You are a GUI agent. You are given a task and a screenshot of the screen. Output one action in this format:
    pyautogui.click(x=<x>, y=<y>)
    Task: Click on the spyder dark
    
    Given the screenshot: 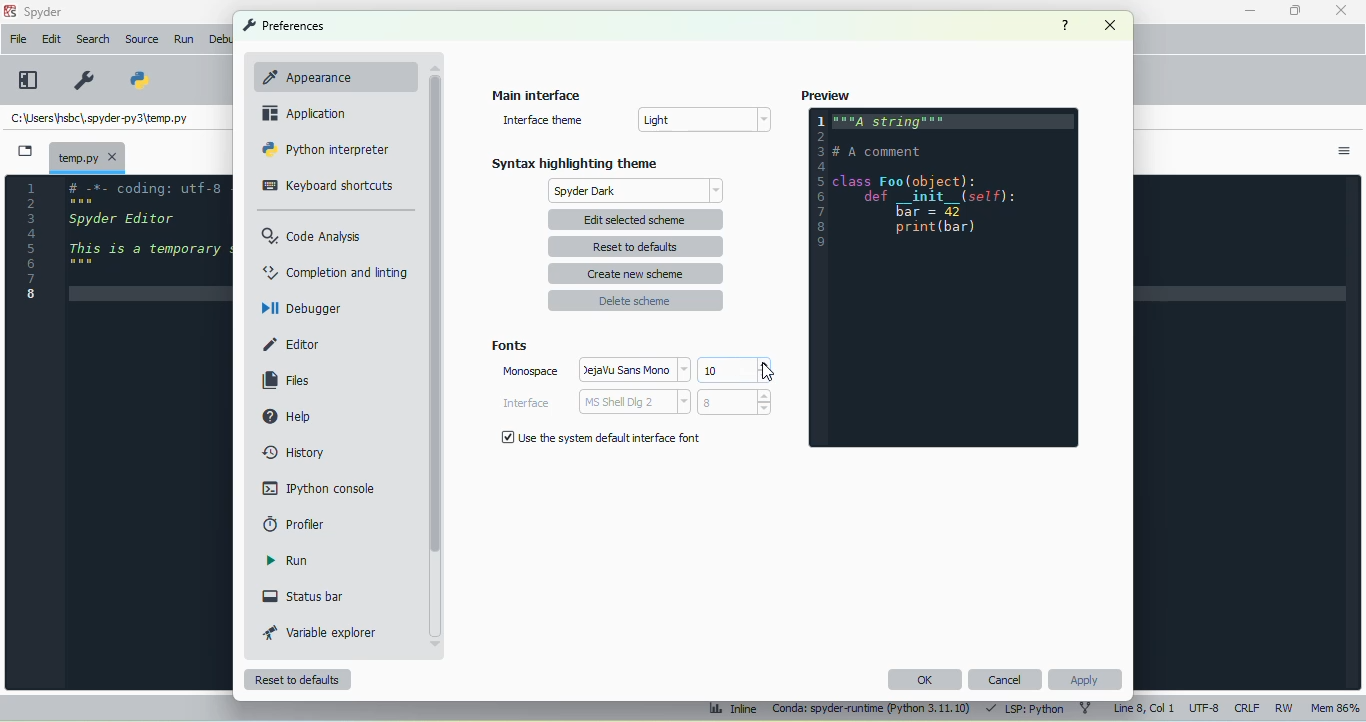 What is the action you would take?
    pyautogui.click(x=638, y=191)
    